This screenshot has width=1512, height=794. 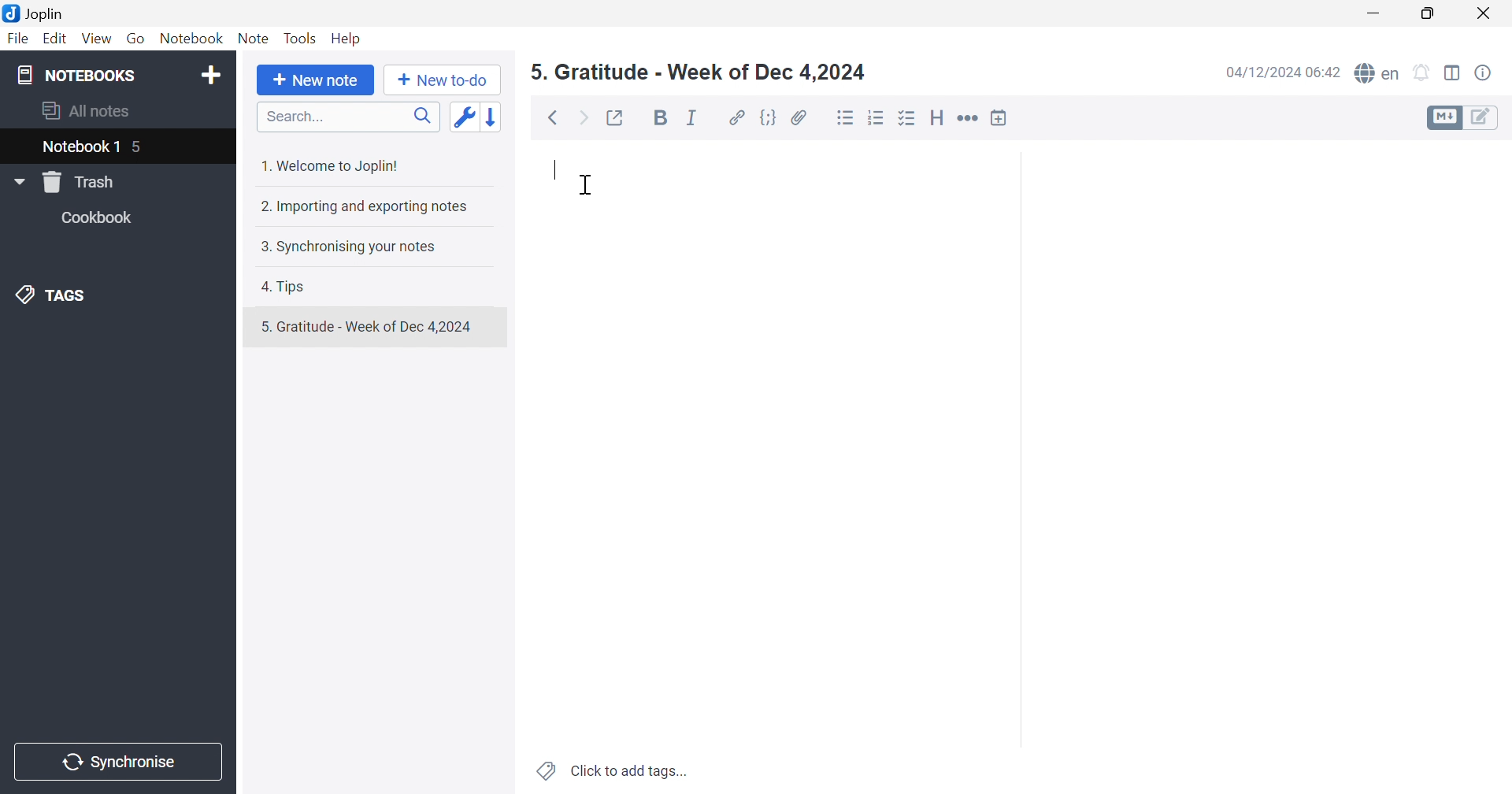 What do you see at coordinates (89, 113) in the screenshot?
I see `All notes` at bounding box center [89, 113].